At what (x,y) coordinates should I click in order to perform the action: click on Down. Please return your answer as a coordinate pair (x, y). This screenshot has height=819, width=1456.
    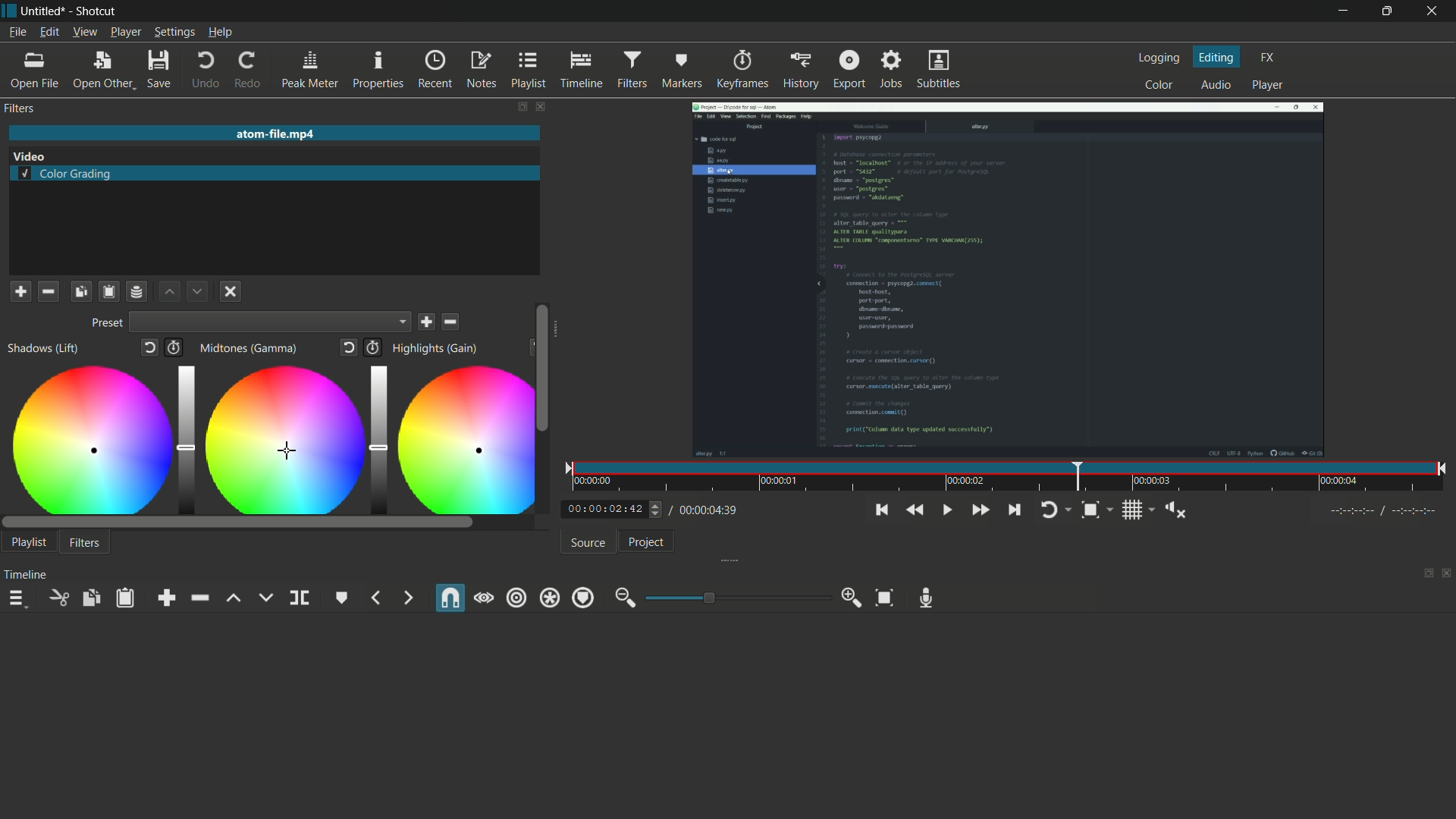
    Looking at the image, I should click on (196, 290).